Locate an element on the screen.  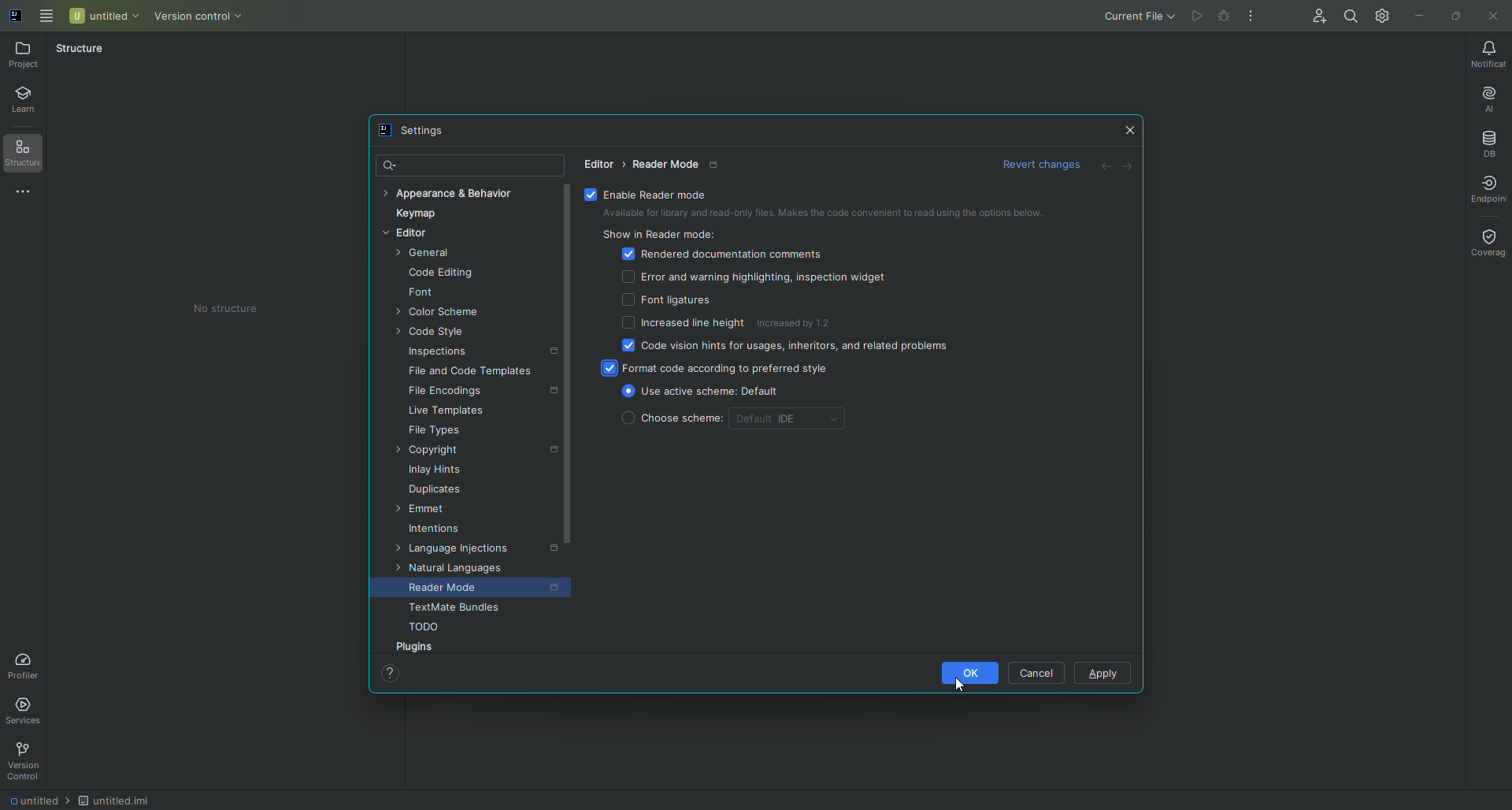
Reader Mode is located at coordinates (476, 589).